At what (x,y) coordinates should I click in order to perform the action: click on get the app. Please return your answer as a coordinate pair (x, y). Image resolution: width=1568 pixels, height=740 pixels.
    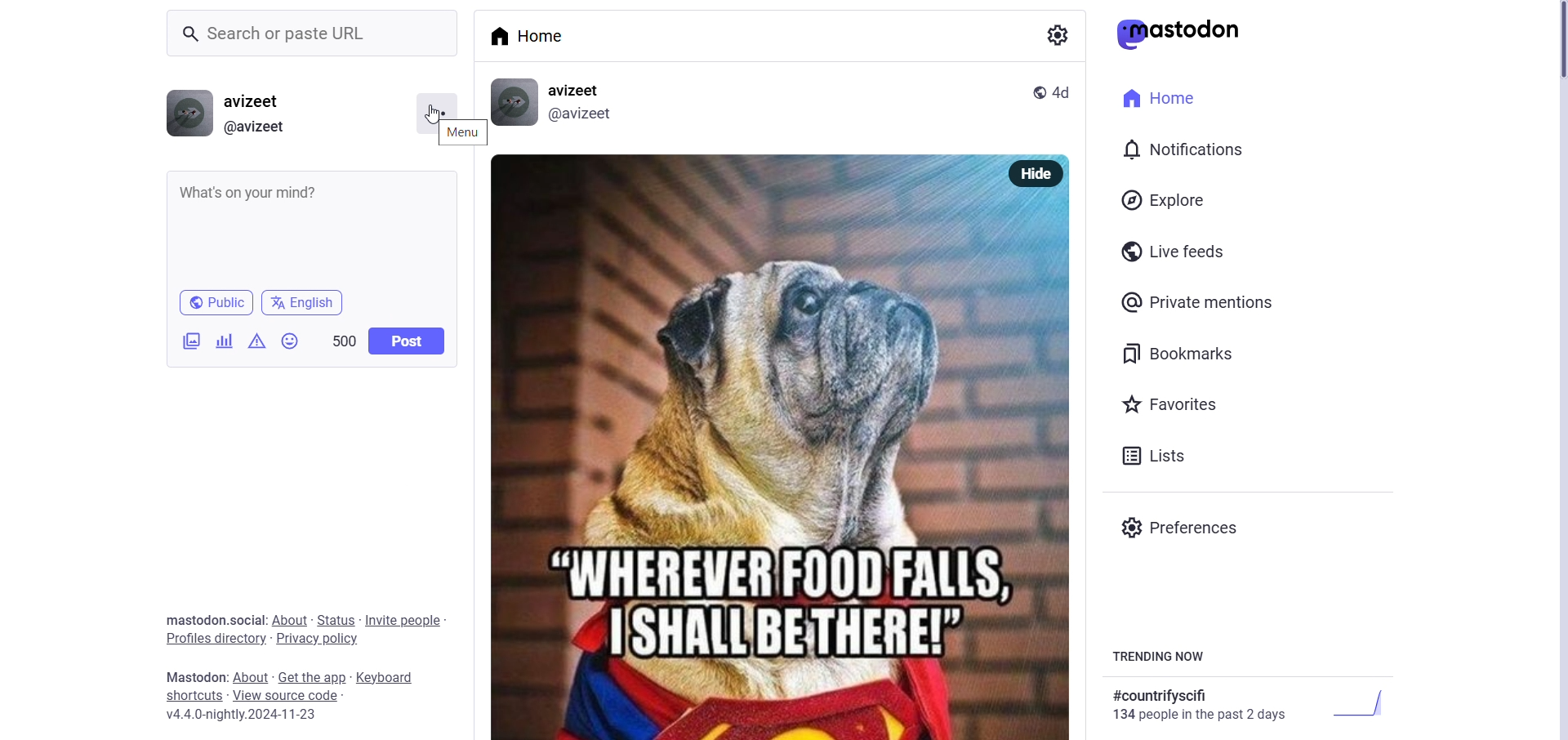
    Looking at the image, I should click on (314, 677).